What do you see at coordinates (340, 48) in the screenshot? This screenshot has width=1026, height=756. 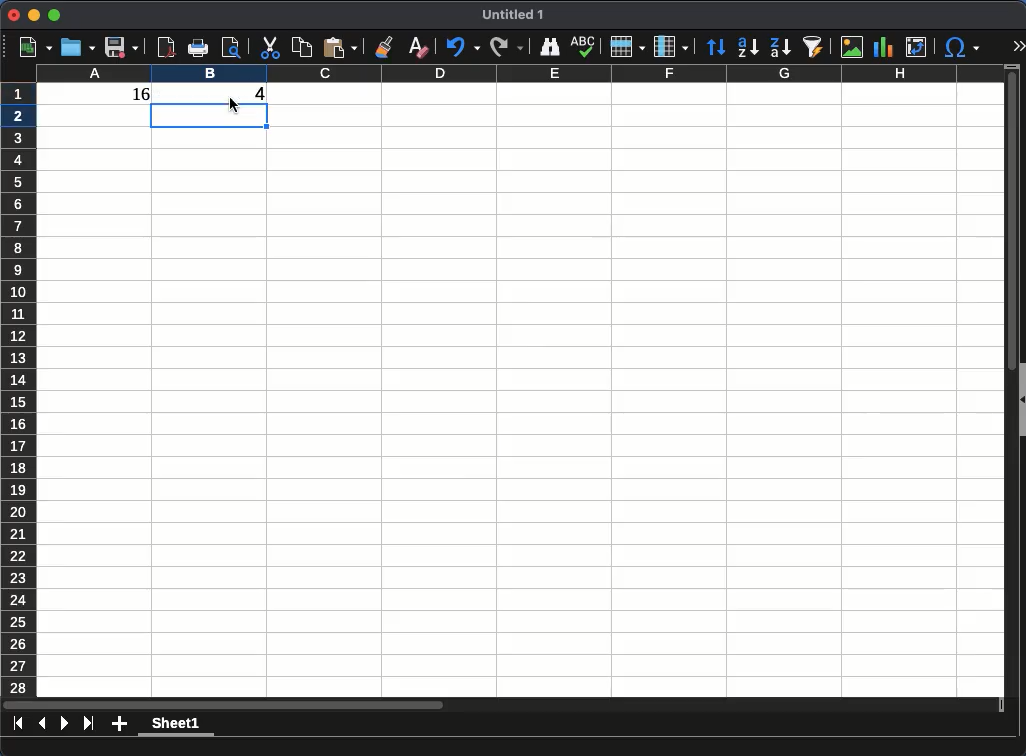 I see `paste` at bounding box center [340, 48].